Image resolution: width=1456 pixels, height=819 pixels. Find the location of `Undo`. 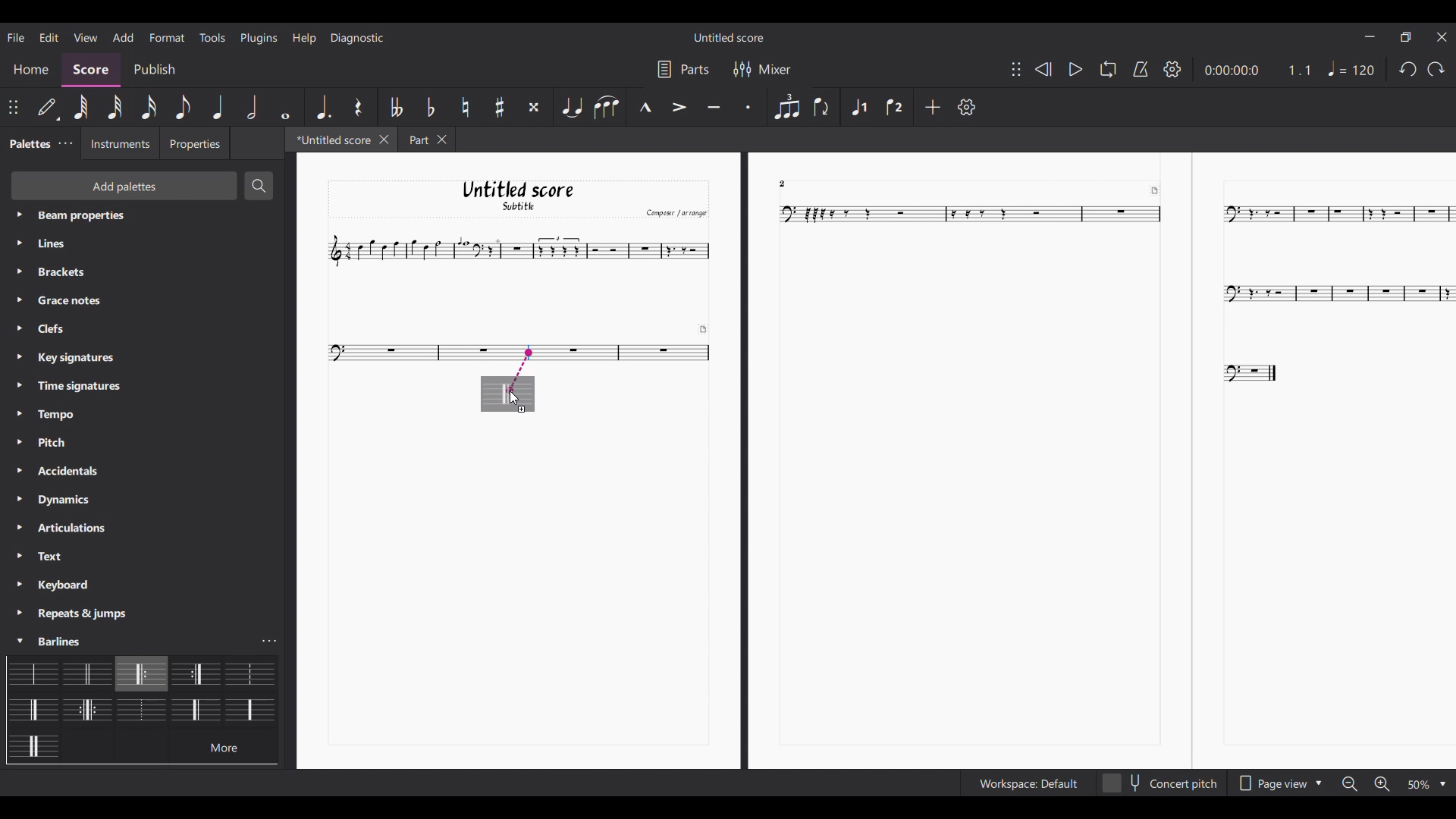

Undo is located at coordinates (1407, 69).